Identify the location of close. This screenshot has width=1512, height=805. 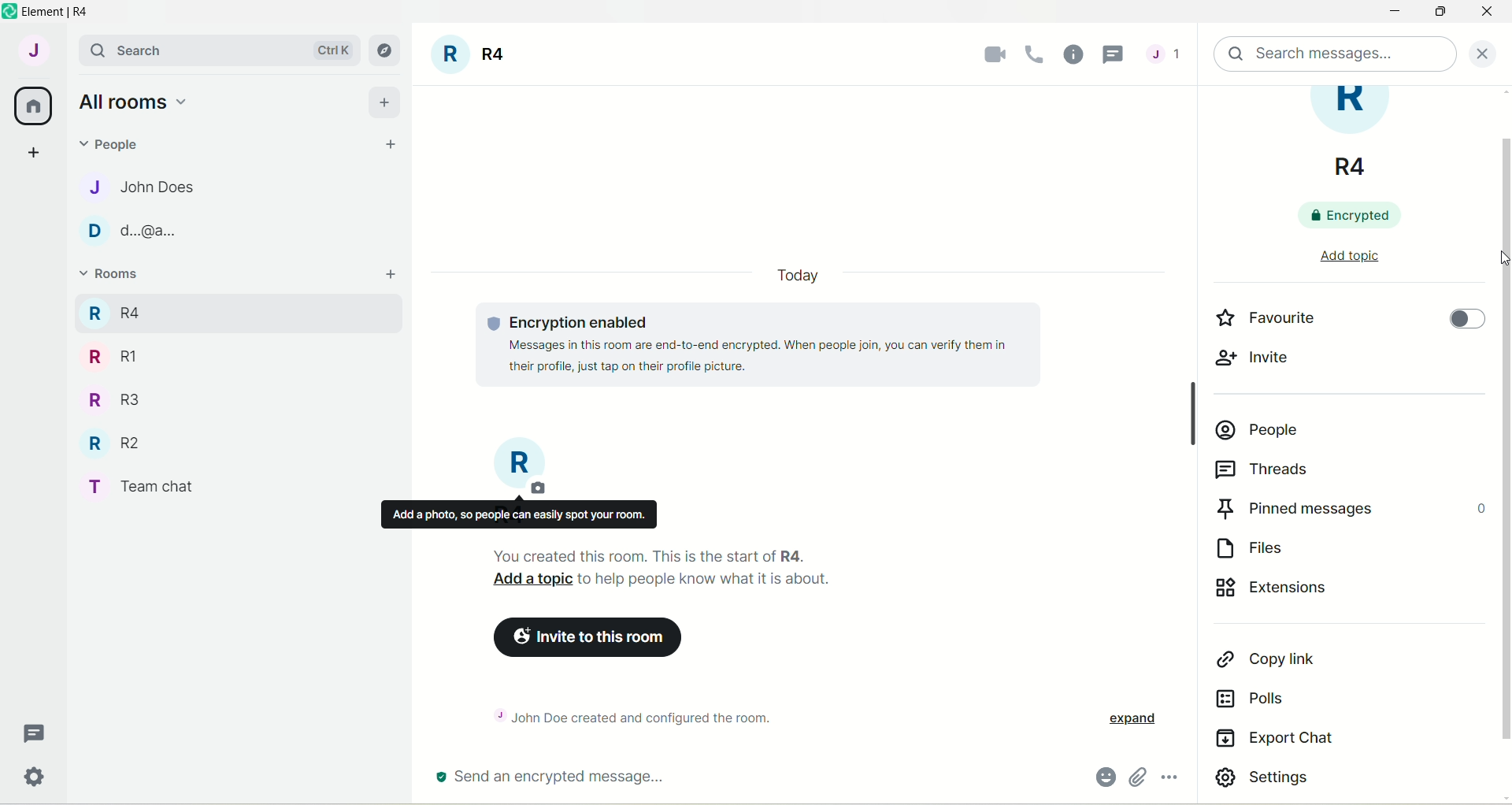
(1488, 52).